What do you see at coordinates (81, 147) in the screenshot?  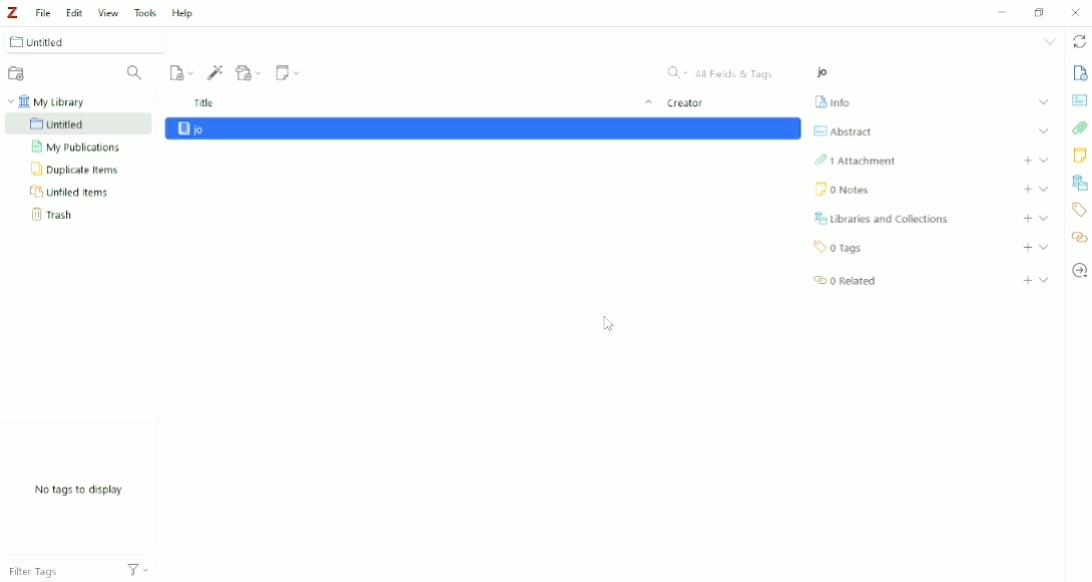 I see `My Publication` at bounding box center [81, 147].